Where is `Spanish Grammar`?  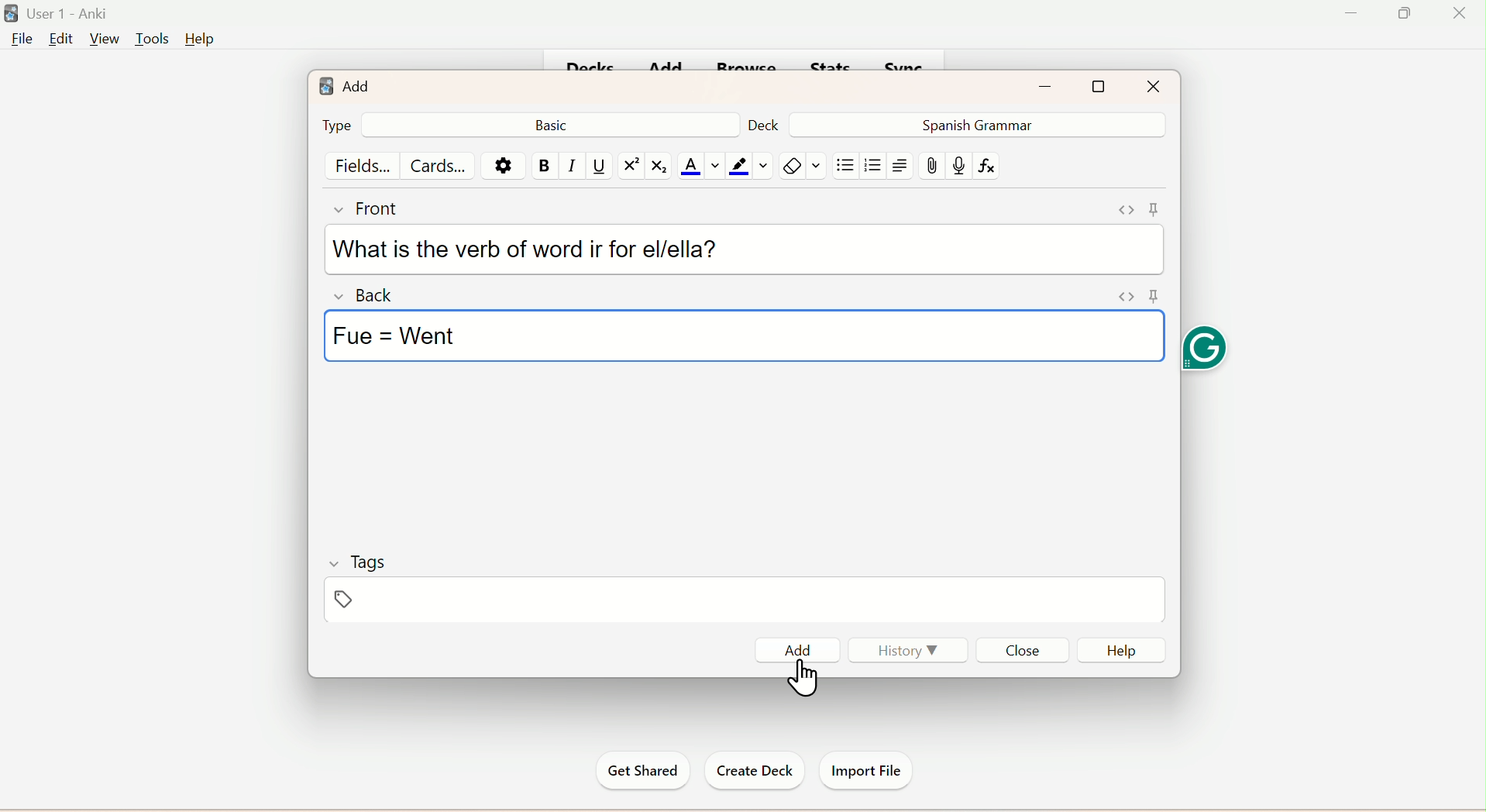 Spanish Grammar is located at coordinates (973, 124).